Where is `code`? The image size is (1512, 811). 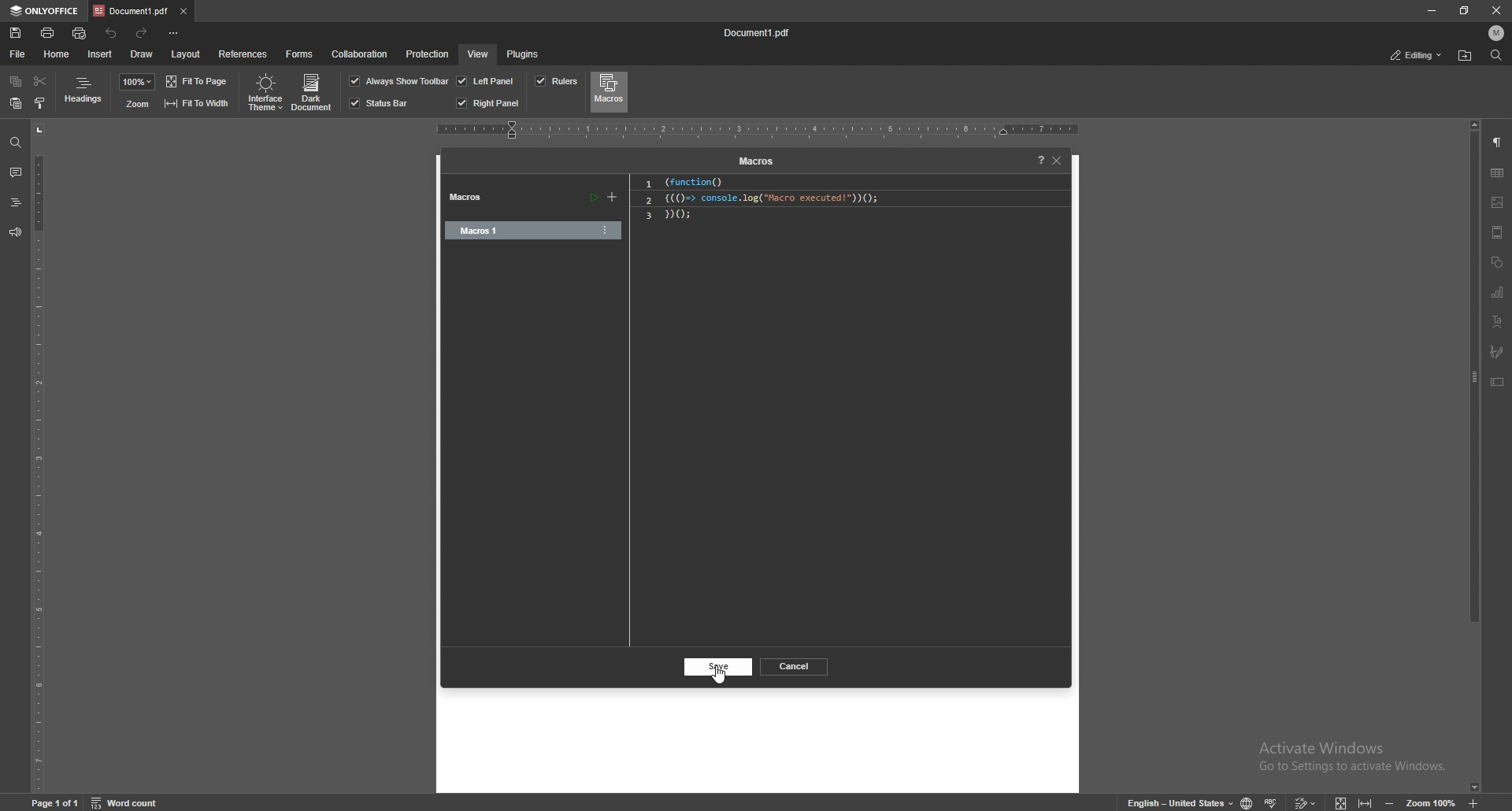
code is located at coordinates (688, 183).